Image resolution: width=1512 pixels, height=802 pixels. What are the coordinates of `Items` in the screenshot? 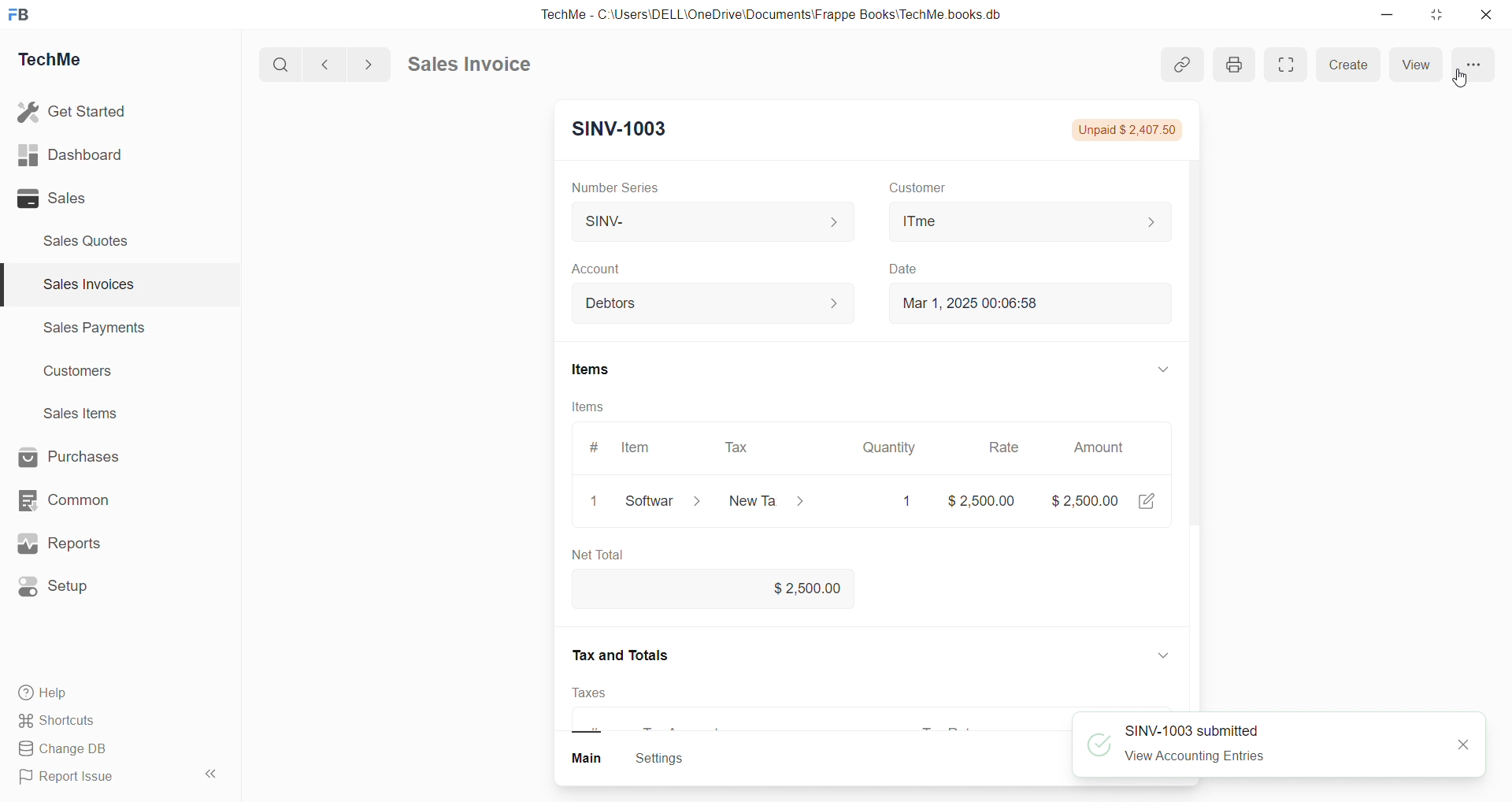 It's located at (609, 369).